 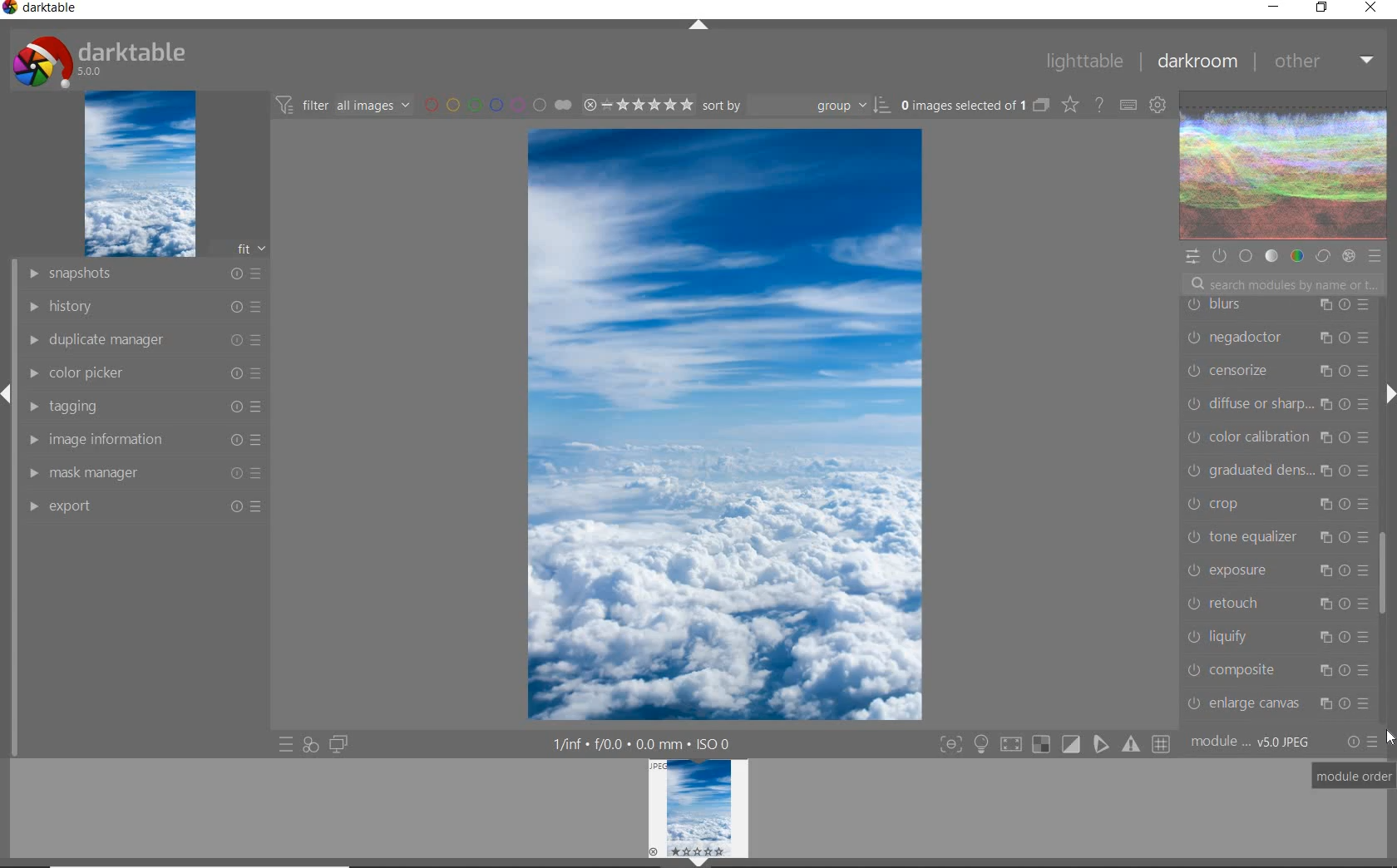 I want to click on TONE, so click(x=1271, y=258).